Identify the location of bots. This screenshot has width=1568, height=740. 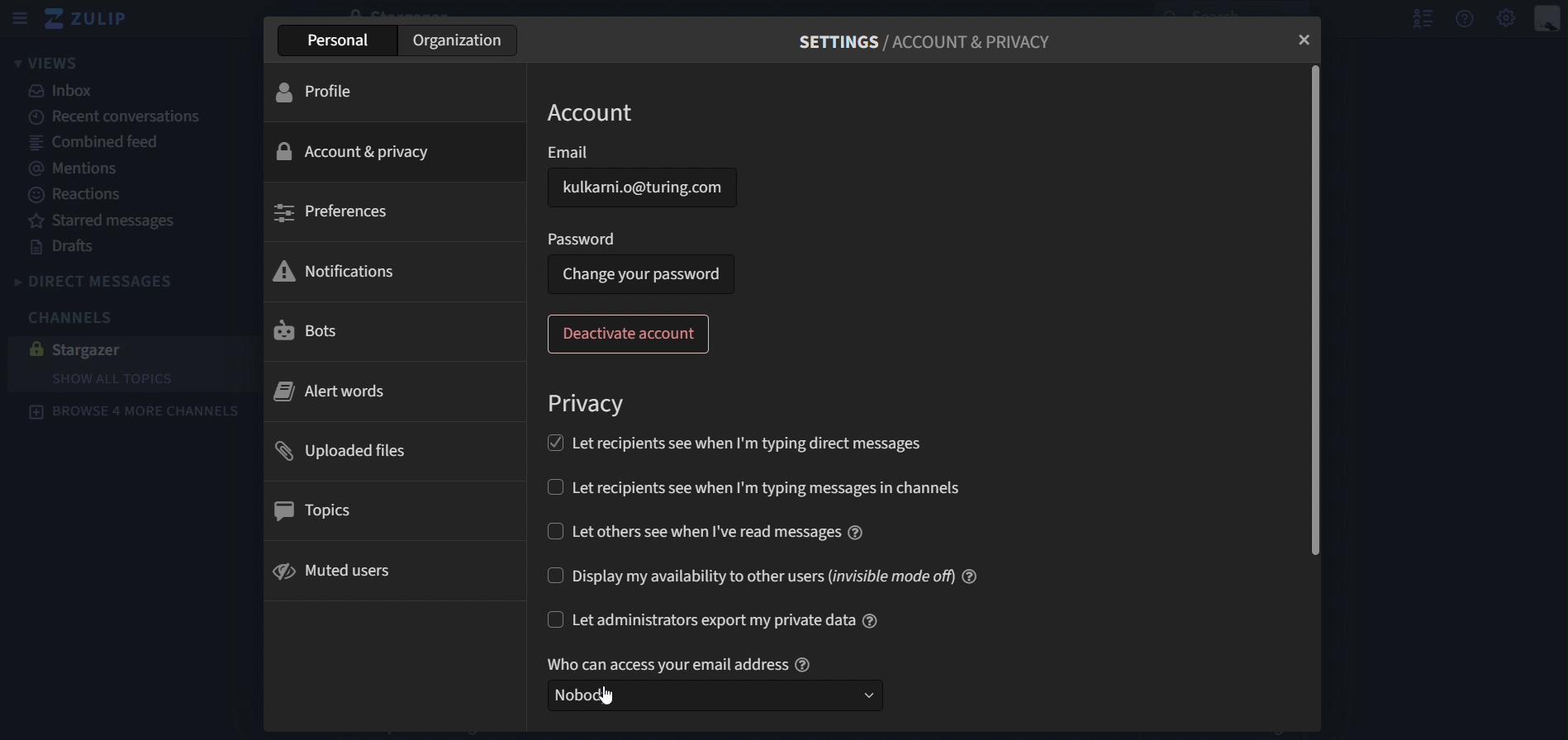
(312, 329).